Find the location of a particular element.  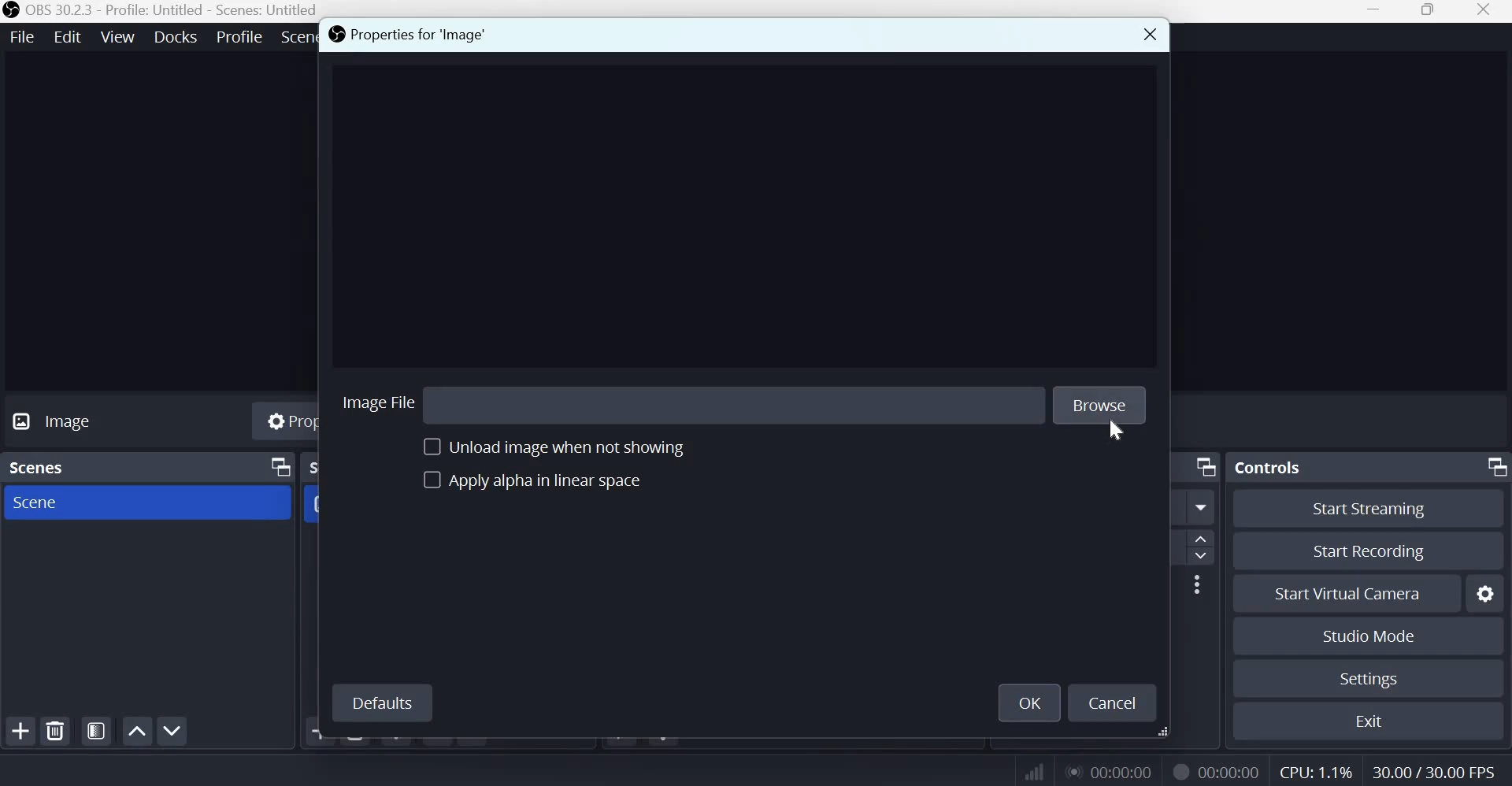

Start streaming is located at coordinates (1370, 510).